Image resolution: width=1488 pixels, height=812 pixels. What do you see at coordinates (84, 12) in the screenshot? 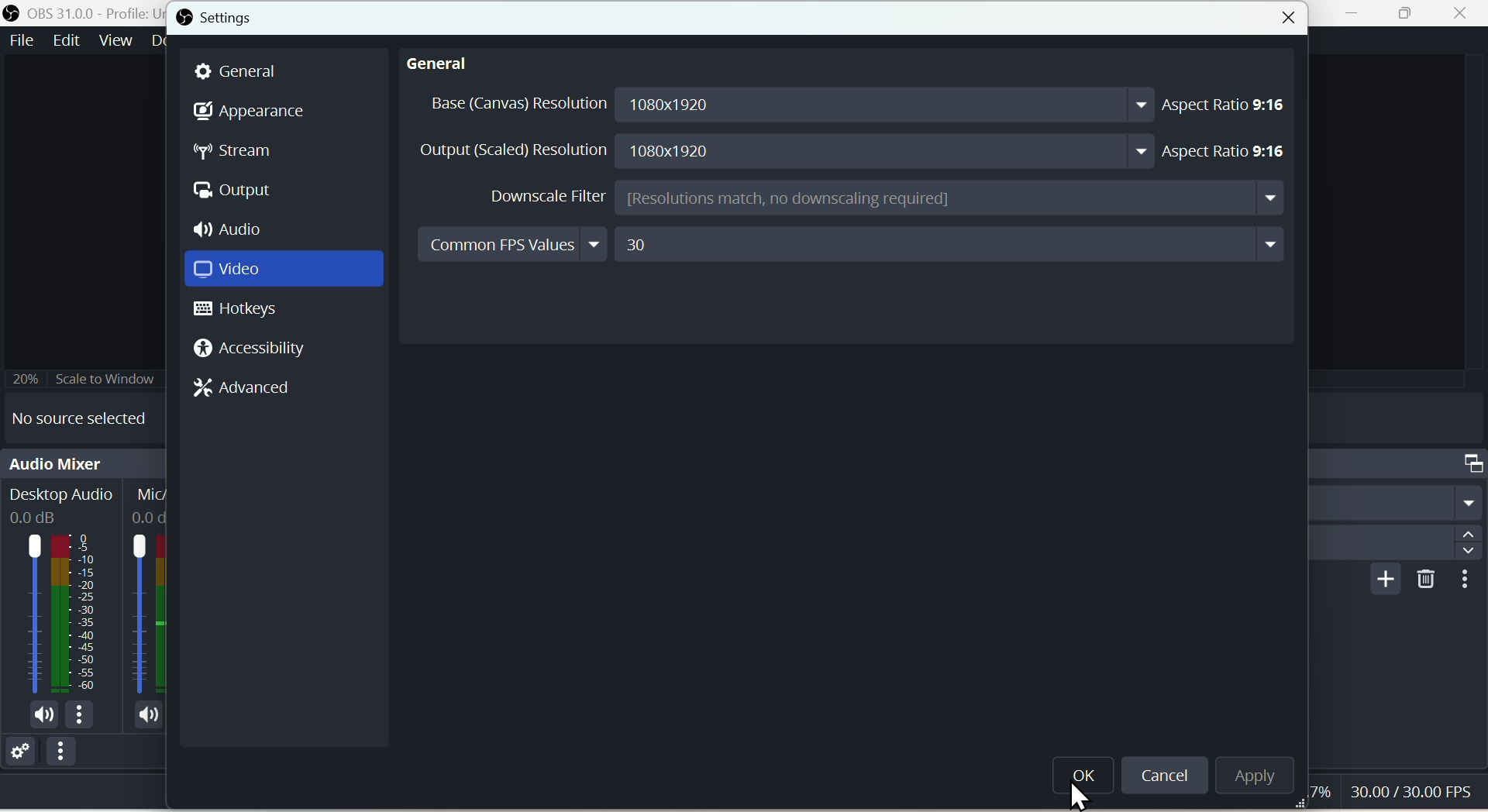
I see `OBS 31.0 .0 profile untitled scenes new scenes` at bounding box center [84, 12].